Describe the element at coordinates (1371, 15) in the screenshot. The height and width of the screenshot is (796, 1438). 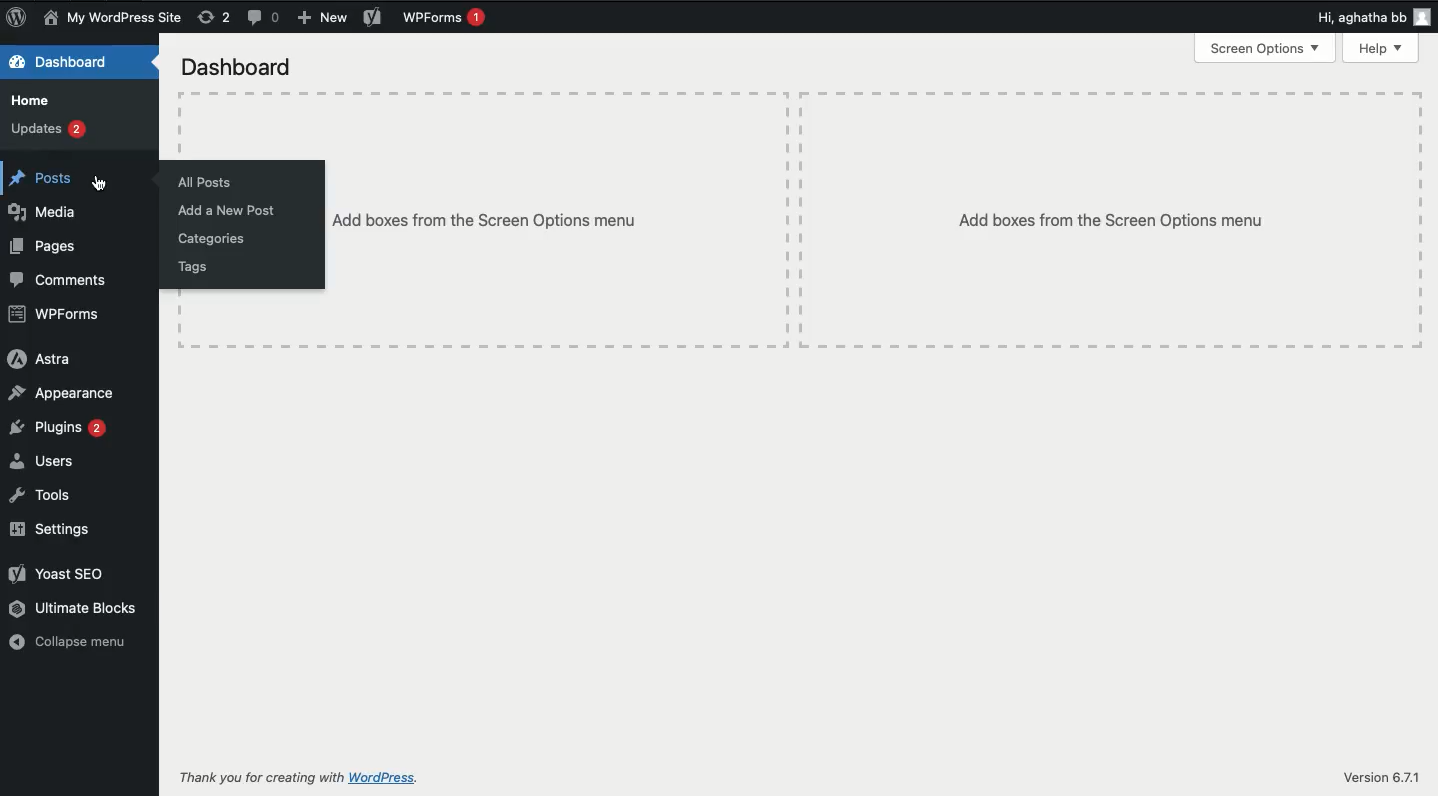
I see `Hi user` at that location.